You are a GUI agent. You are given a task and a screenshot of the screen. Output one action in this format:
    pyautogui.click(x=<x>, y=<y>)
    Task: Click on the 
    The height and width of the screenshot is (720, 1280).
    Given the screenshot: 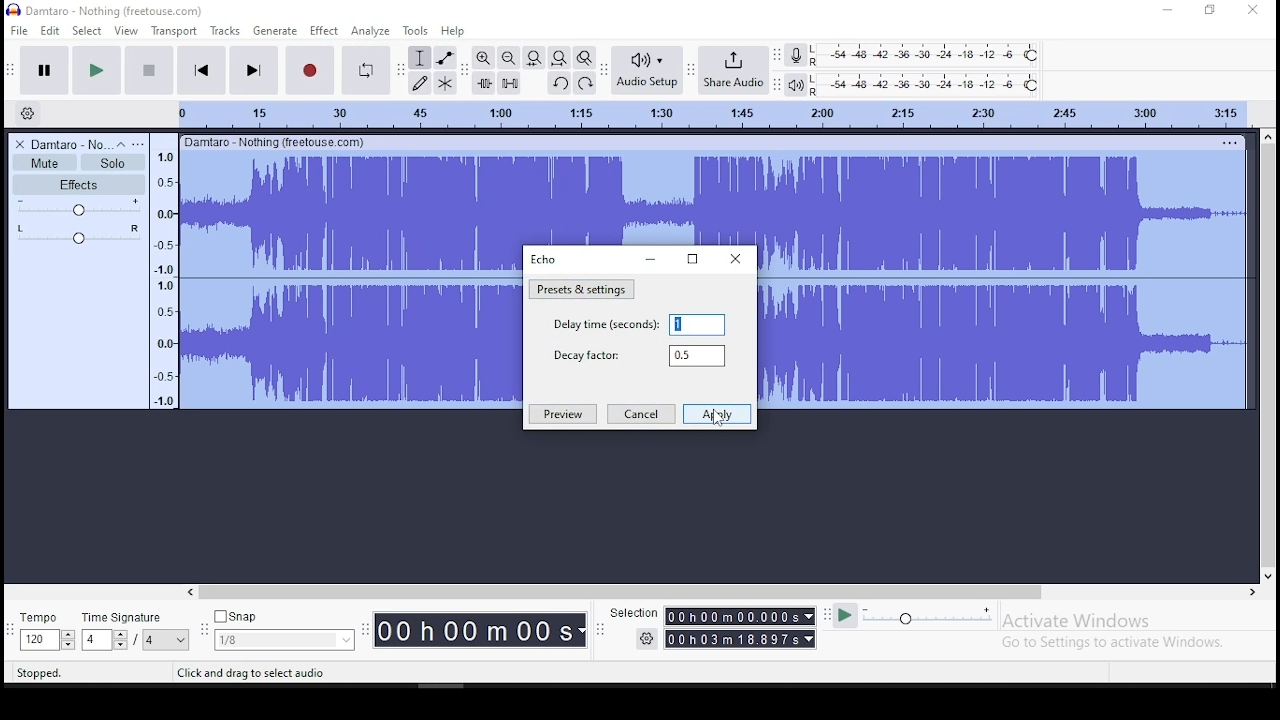 What is the action you would take?
    pyautogui.click(x=399, y=69)
    